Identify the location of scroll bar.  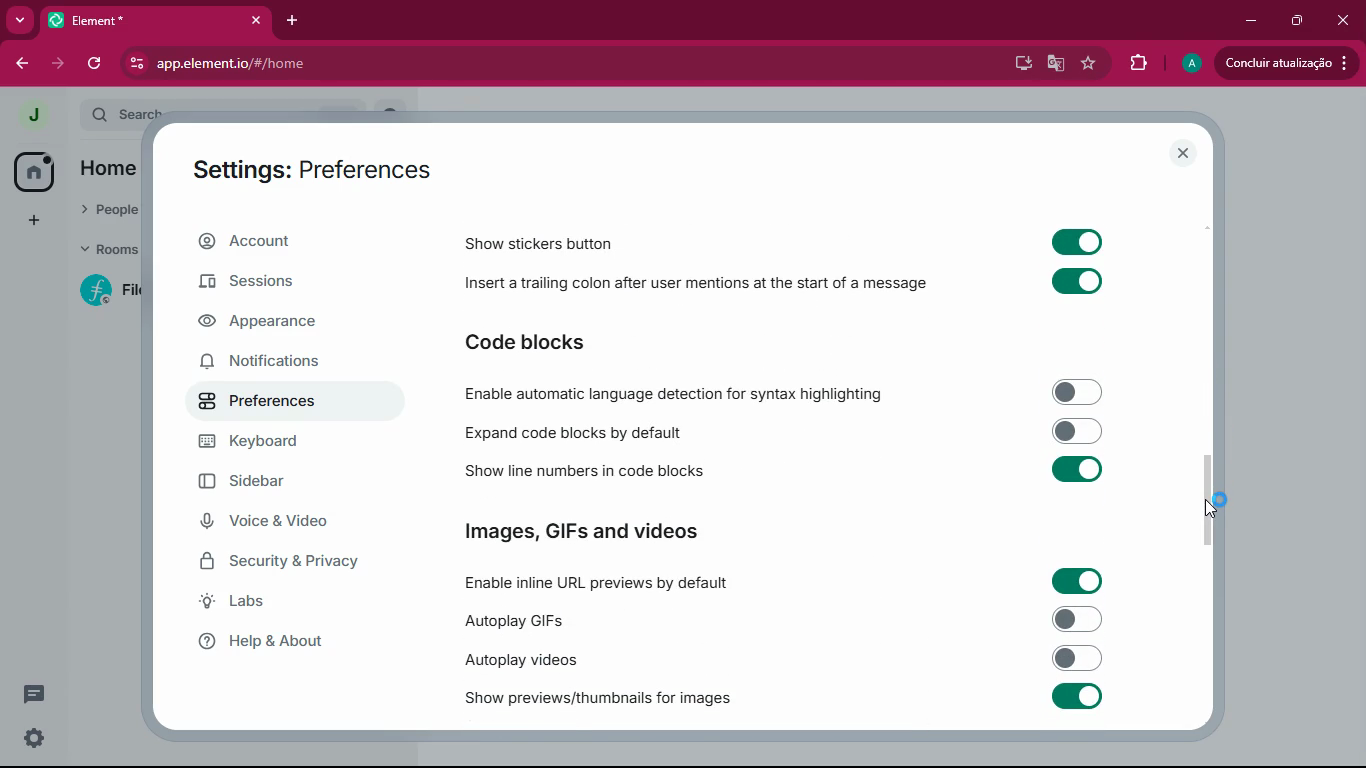
(1215, 501).